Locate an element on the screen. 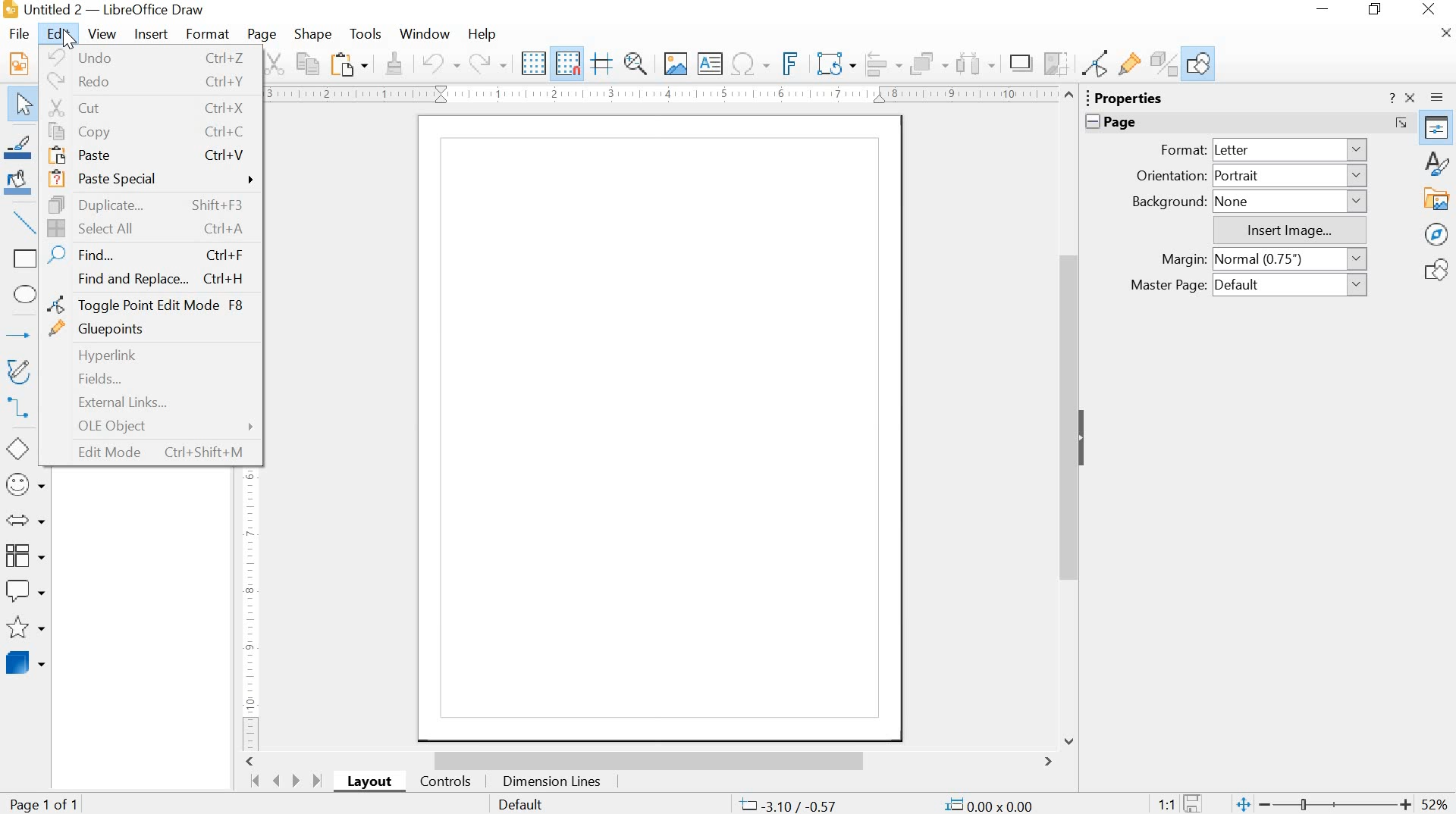 The width and height of the screenshot is (1456, 814). Dimension Lines is located at coordinates (554, 783).